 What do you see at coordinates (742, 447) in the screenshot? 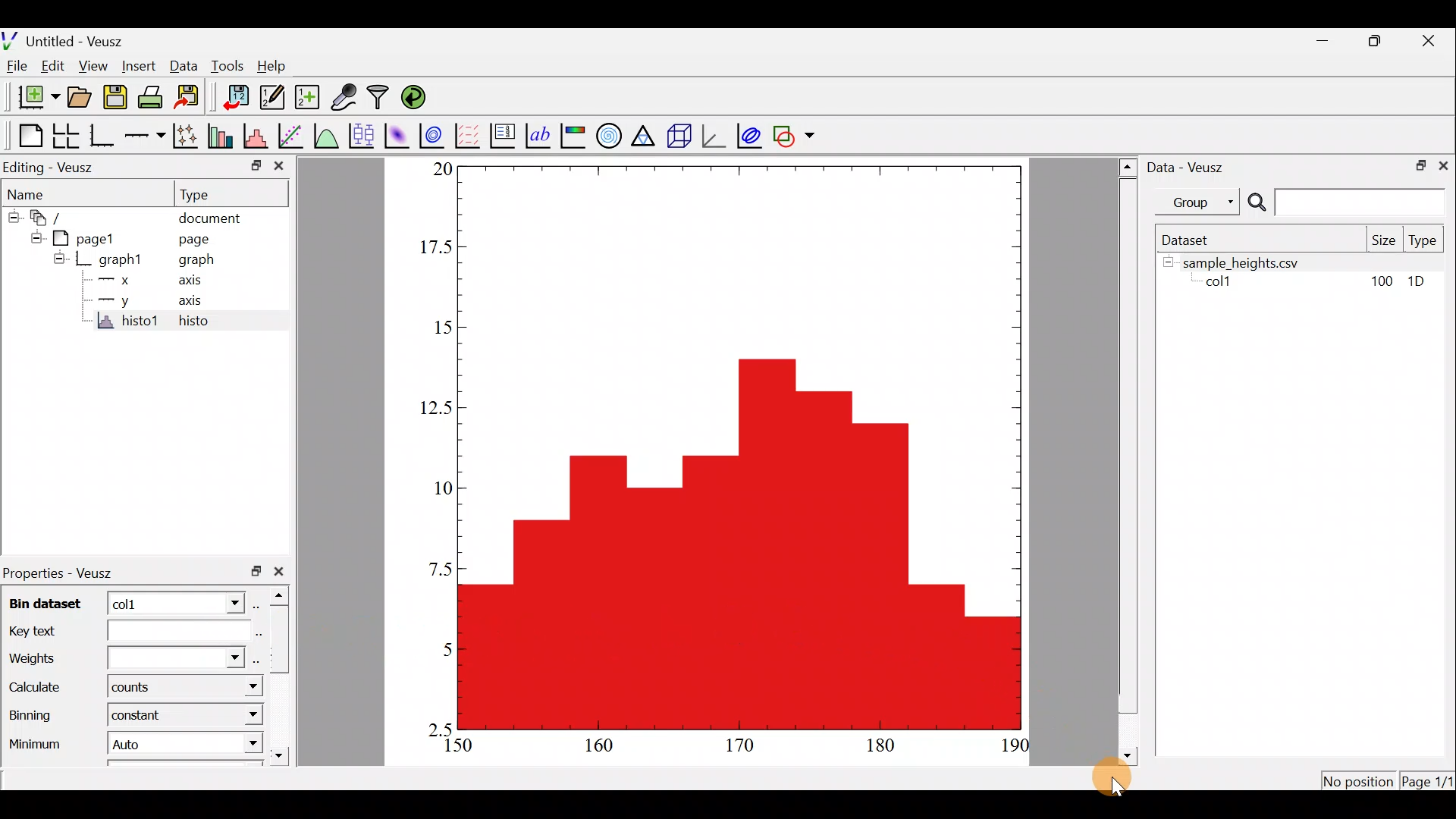
I see `histogram chart inserted` at bounding box center [742, 447].